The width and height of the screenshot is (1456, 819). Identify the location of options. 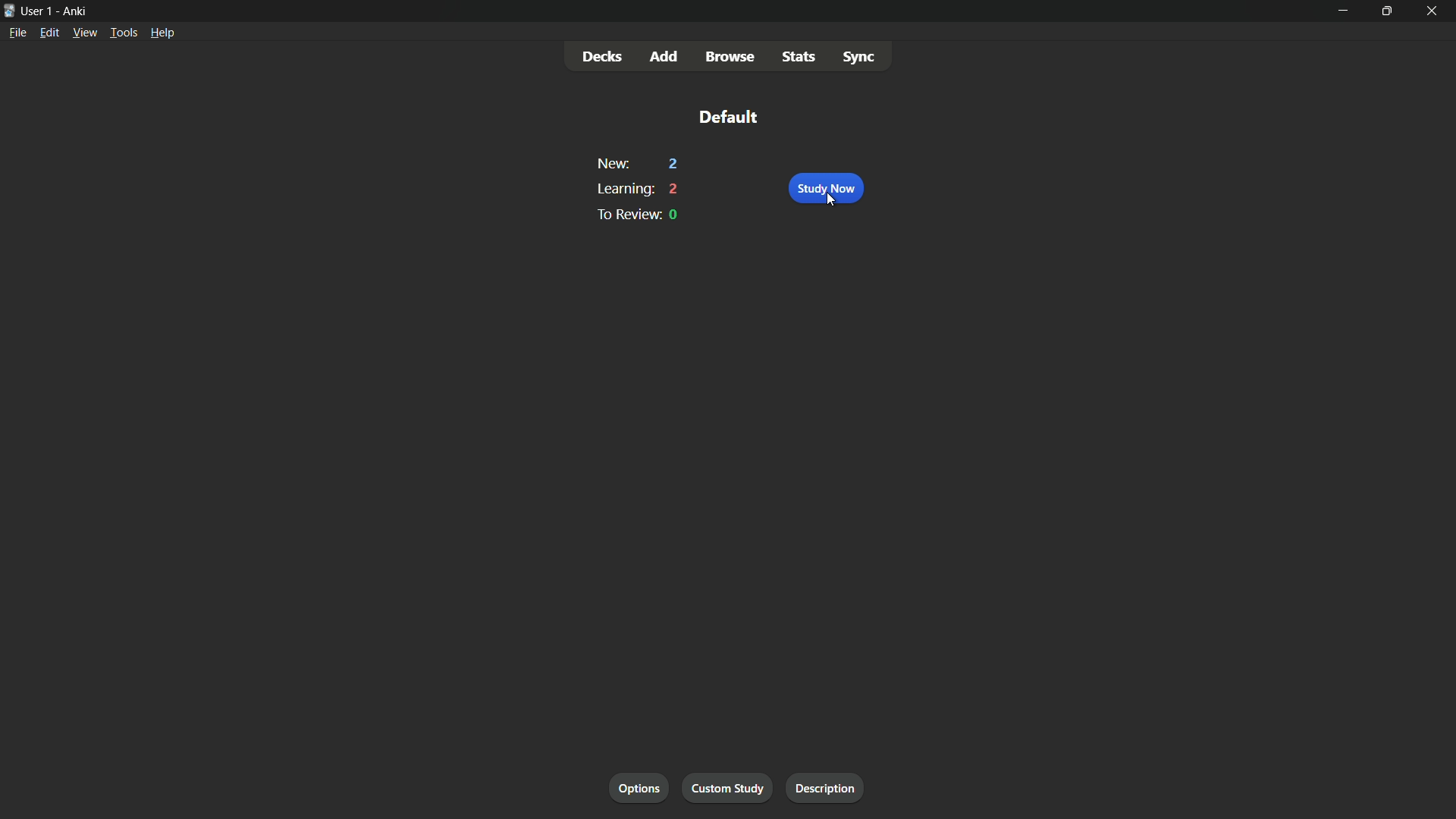
(640, 787).